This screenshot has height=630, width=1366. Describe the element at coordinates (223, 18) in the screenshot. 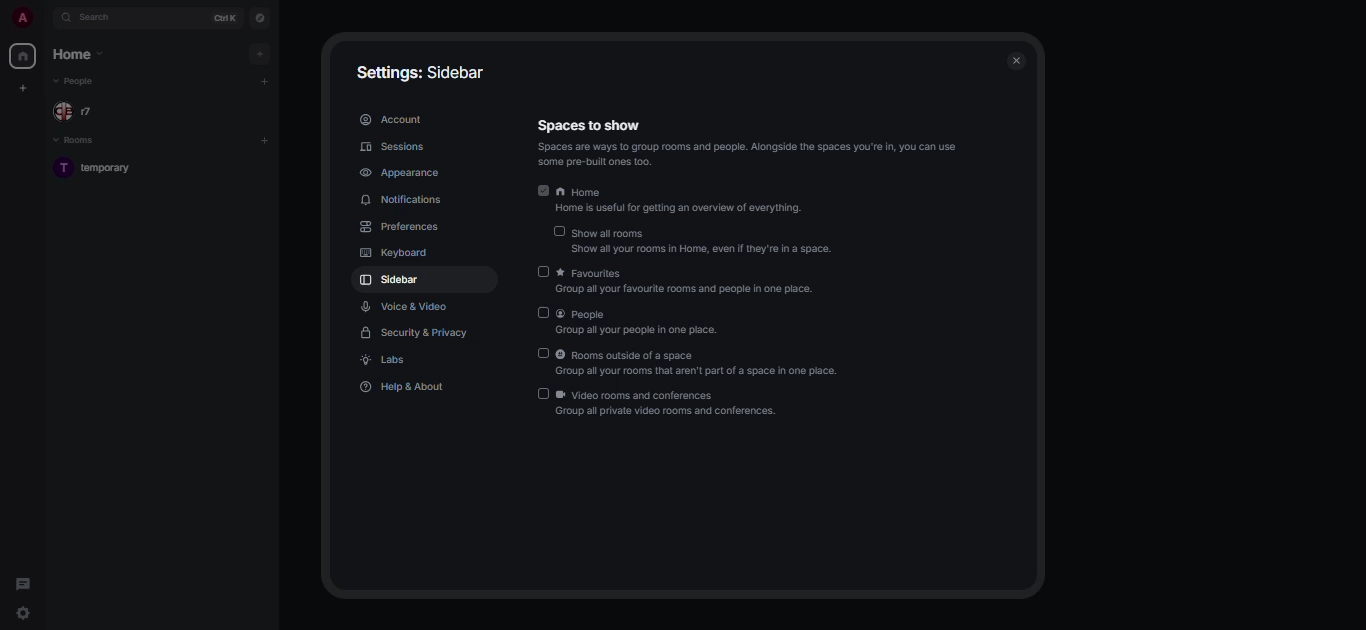

I see `ctrl K` at that location.